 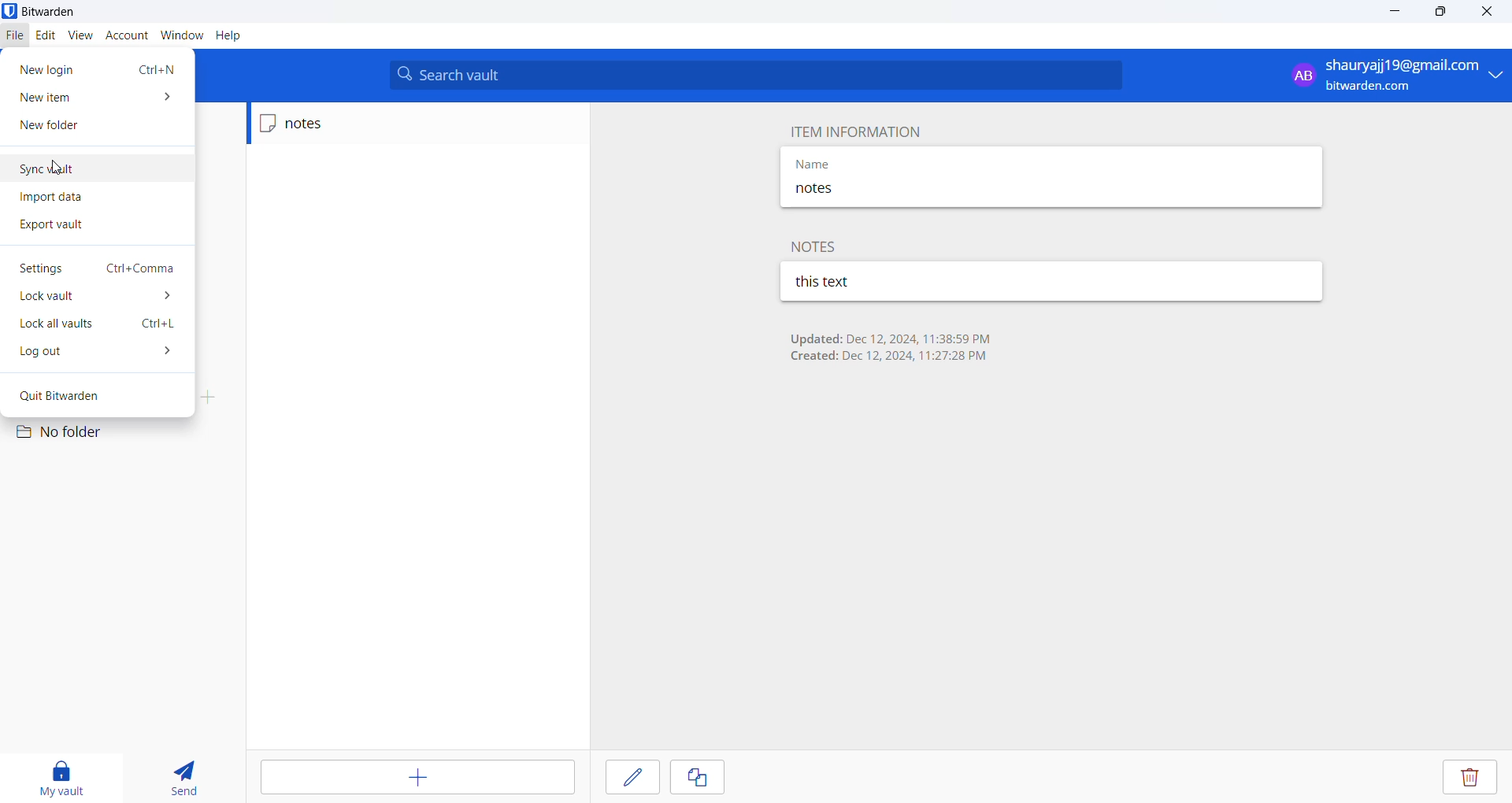 I want to click on new folder, so click(x=81, y=128).